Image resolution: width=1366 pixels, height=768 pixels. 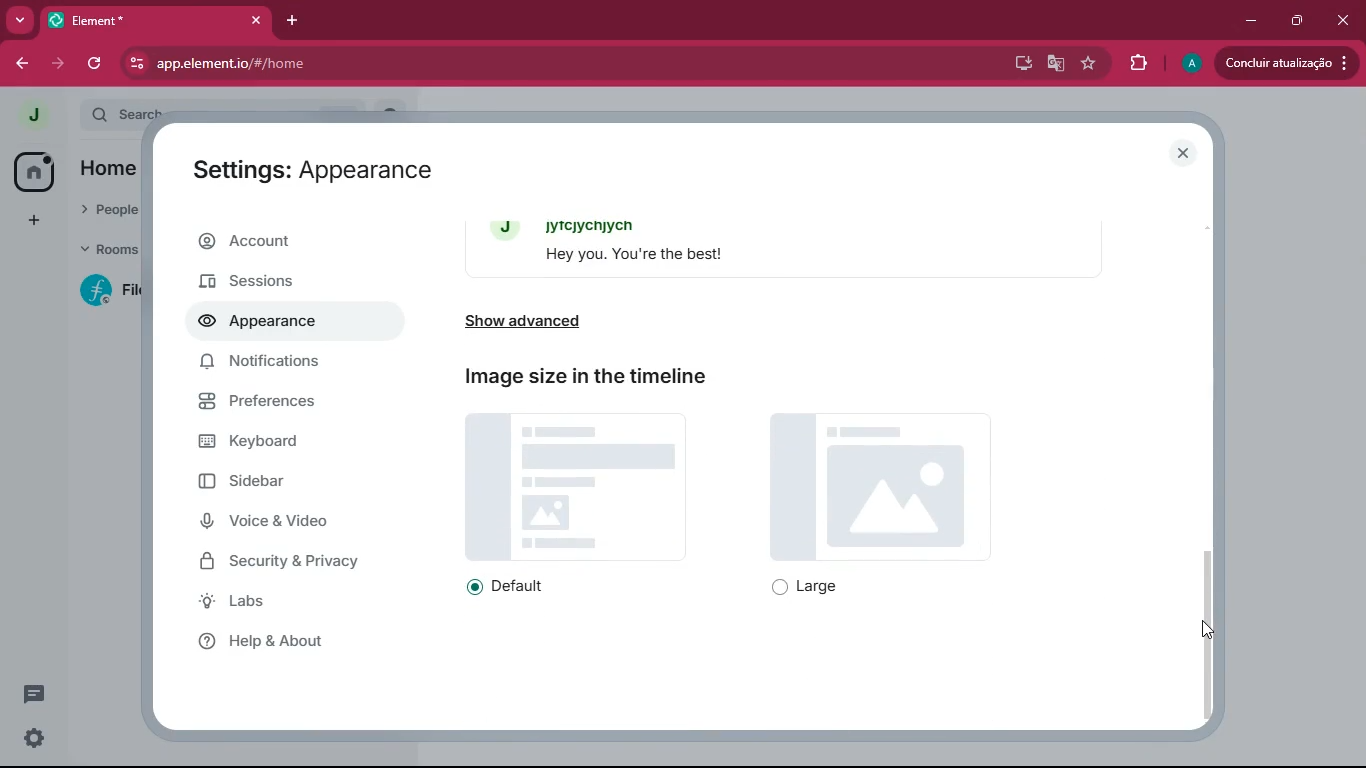 What do you see at coordinates (21, 63) in the screenshot?
I see `back` at bounding box center [21, 63].